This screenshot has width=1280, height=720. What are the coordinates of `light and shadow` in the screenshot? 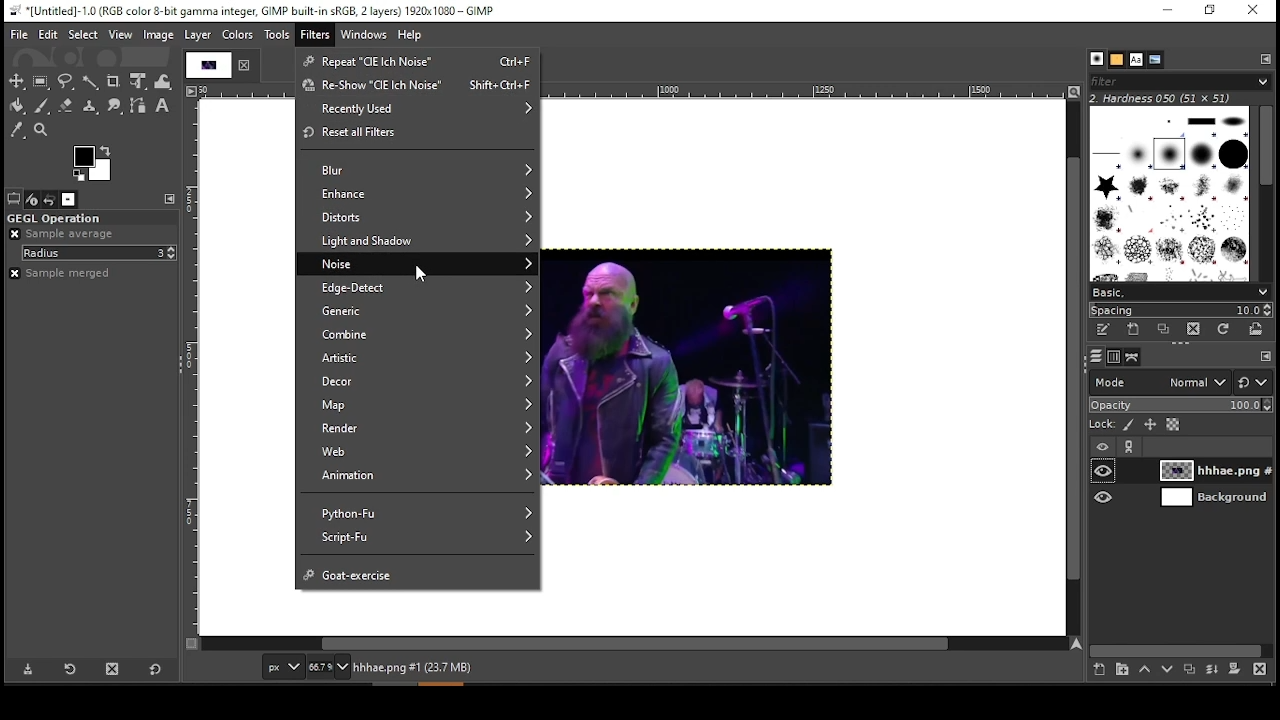 It's located at (419, 241).